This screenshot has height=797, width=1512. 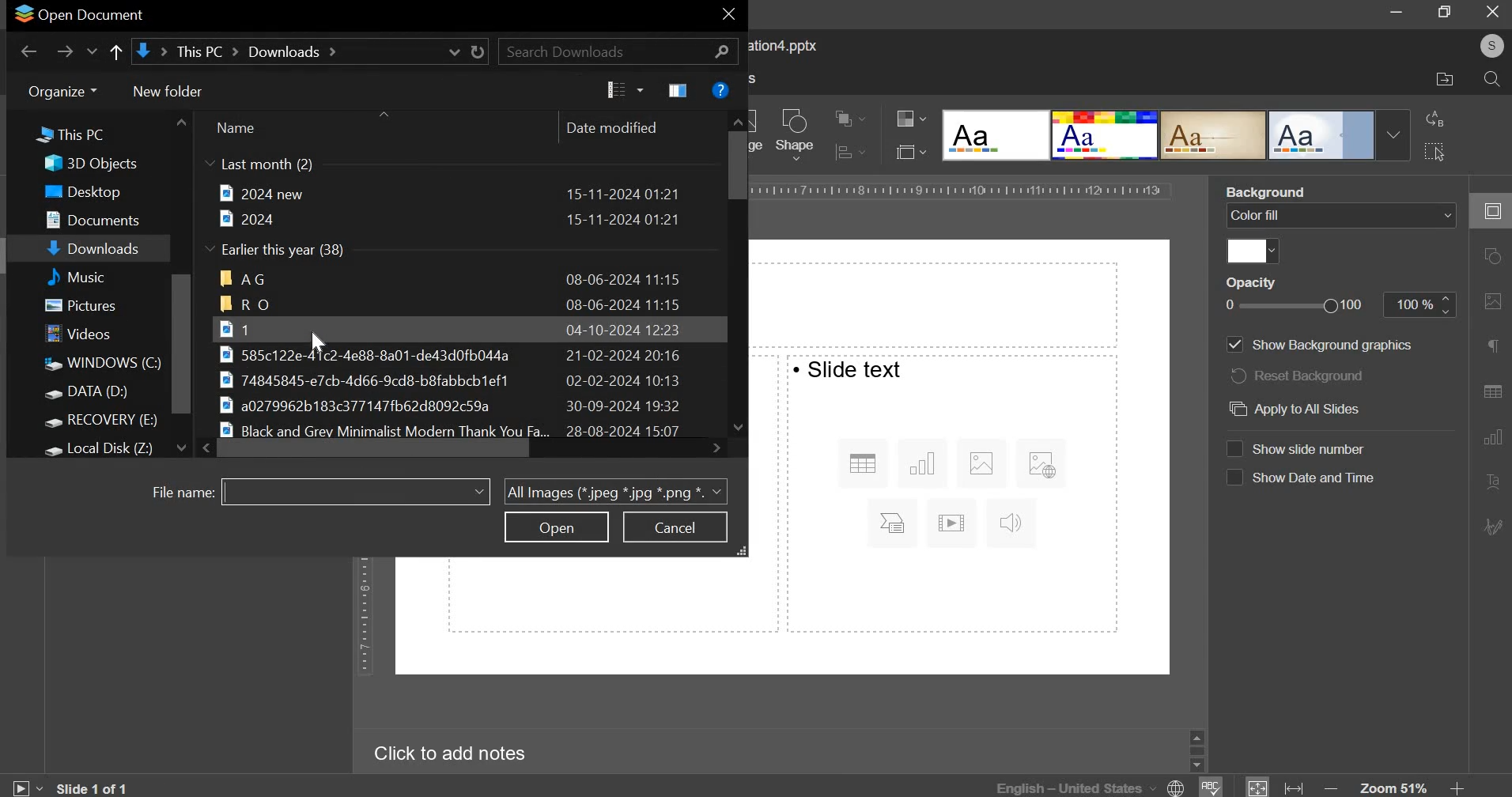 What do you see at coordinates (1253, 281) in the screenshot?
I see `opacity` at bounding box center [1253, 281].